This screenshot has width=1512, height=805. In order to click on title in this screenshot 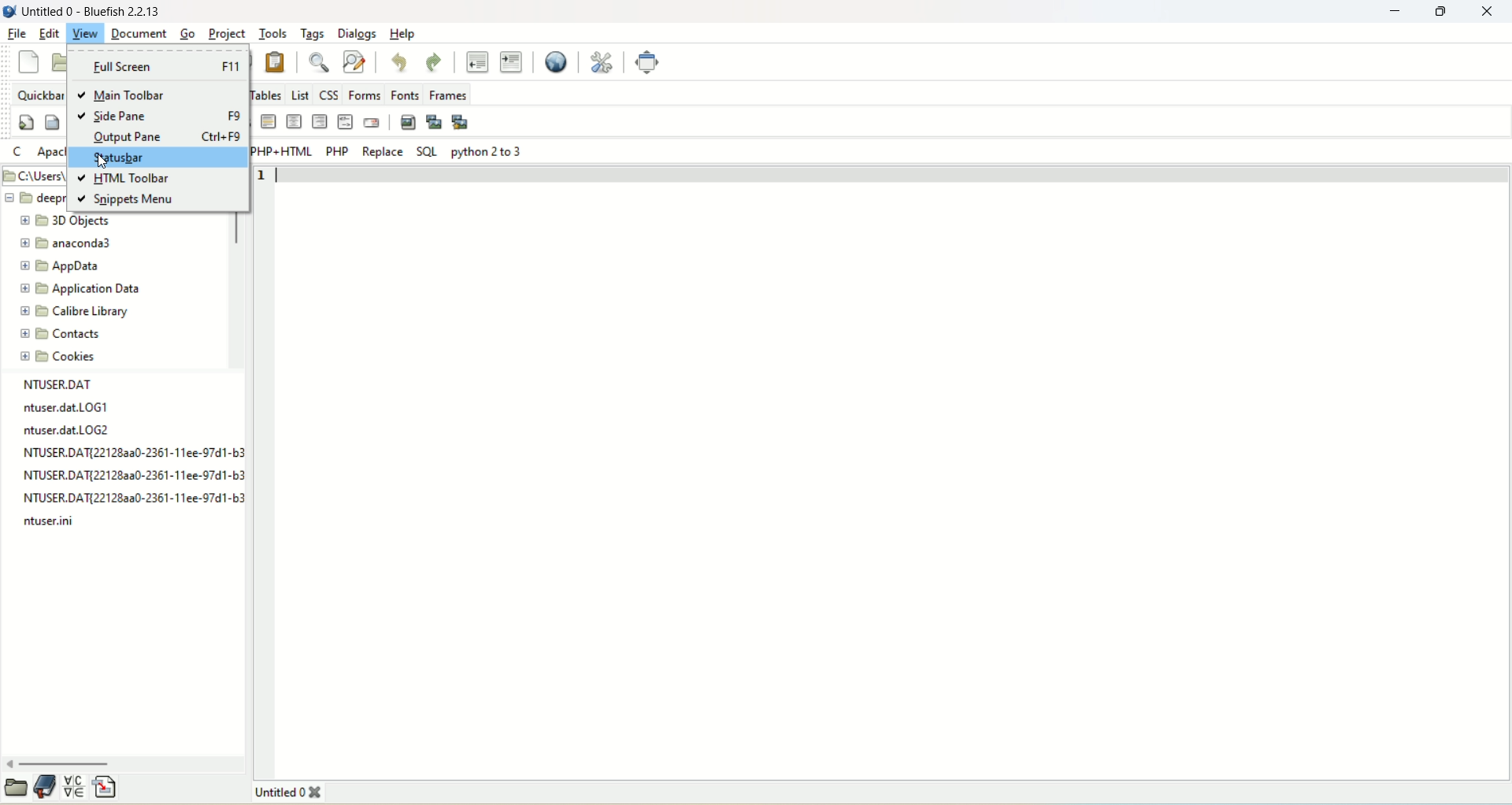, I will do `click(287, 793)`.